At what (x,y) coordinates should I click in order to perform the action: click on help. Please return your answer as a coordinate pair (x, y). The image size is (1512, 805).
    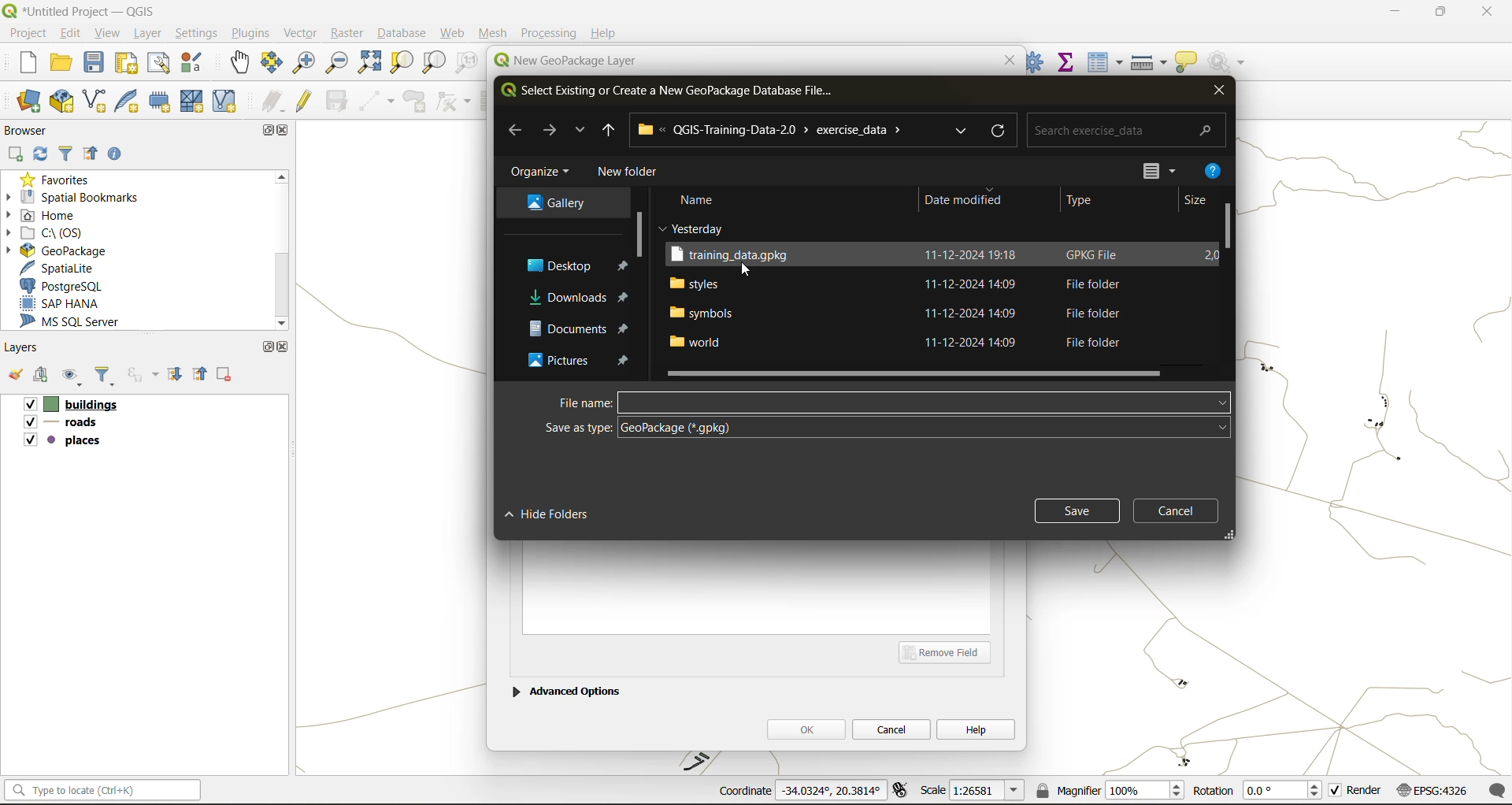
    Looking at the image, I should click on (976, 729).